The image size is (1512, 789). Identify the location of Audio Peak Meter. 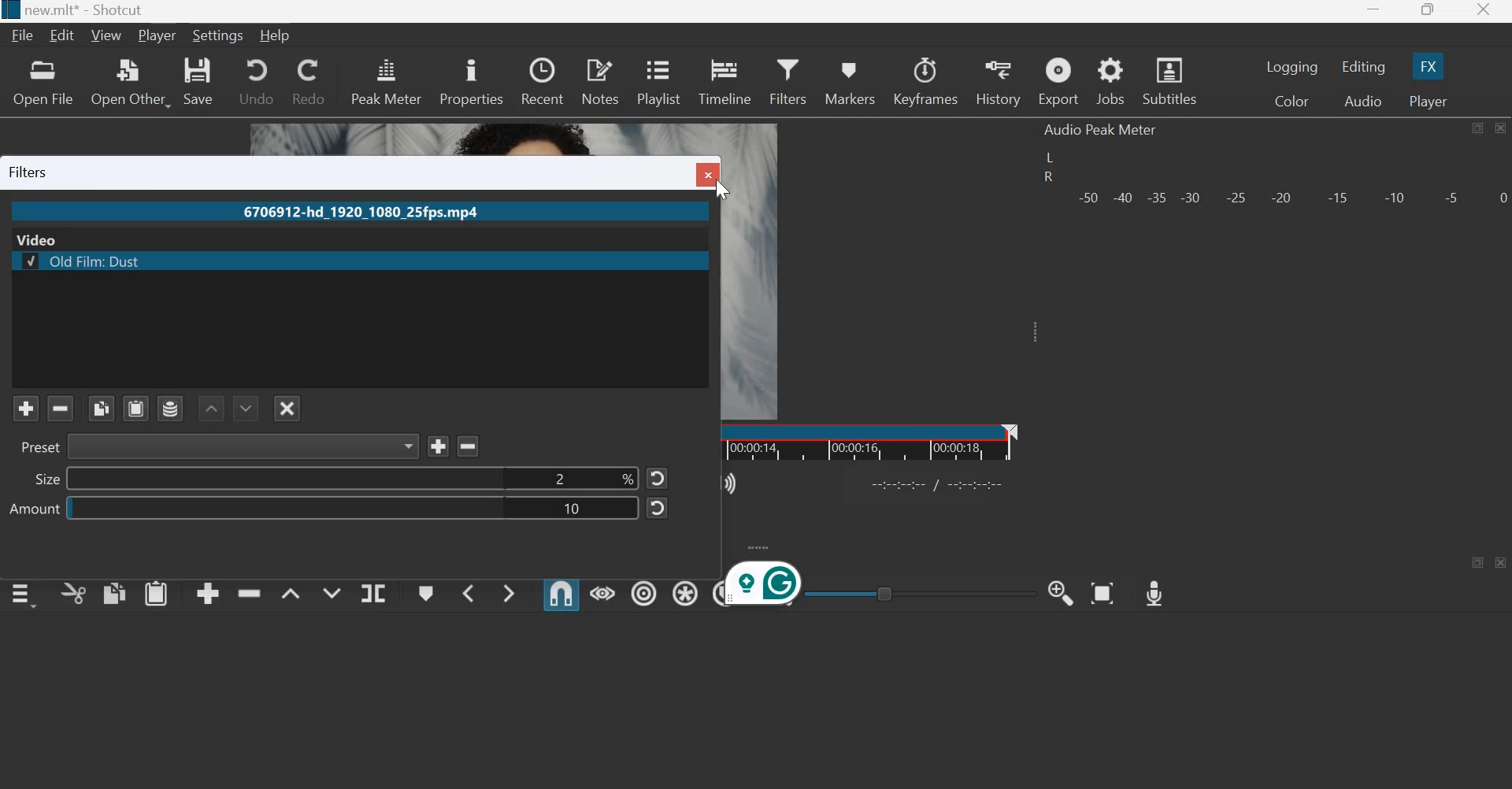
(1101, 130).